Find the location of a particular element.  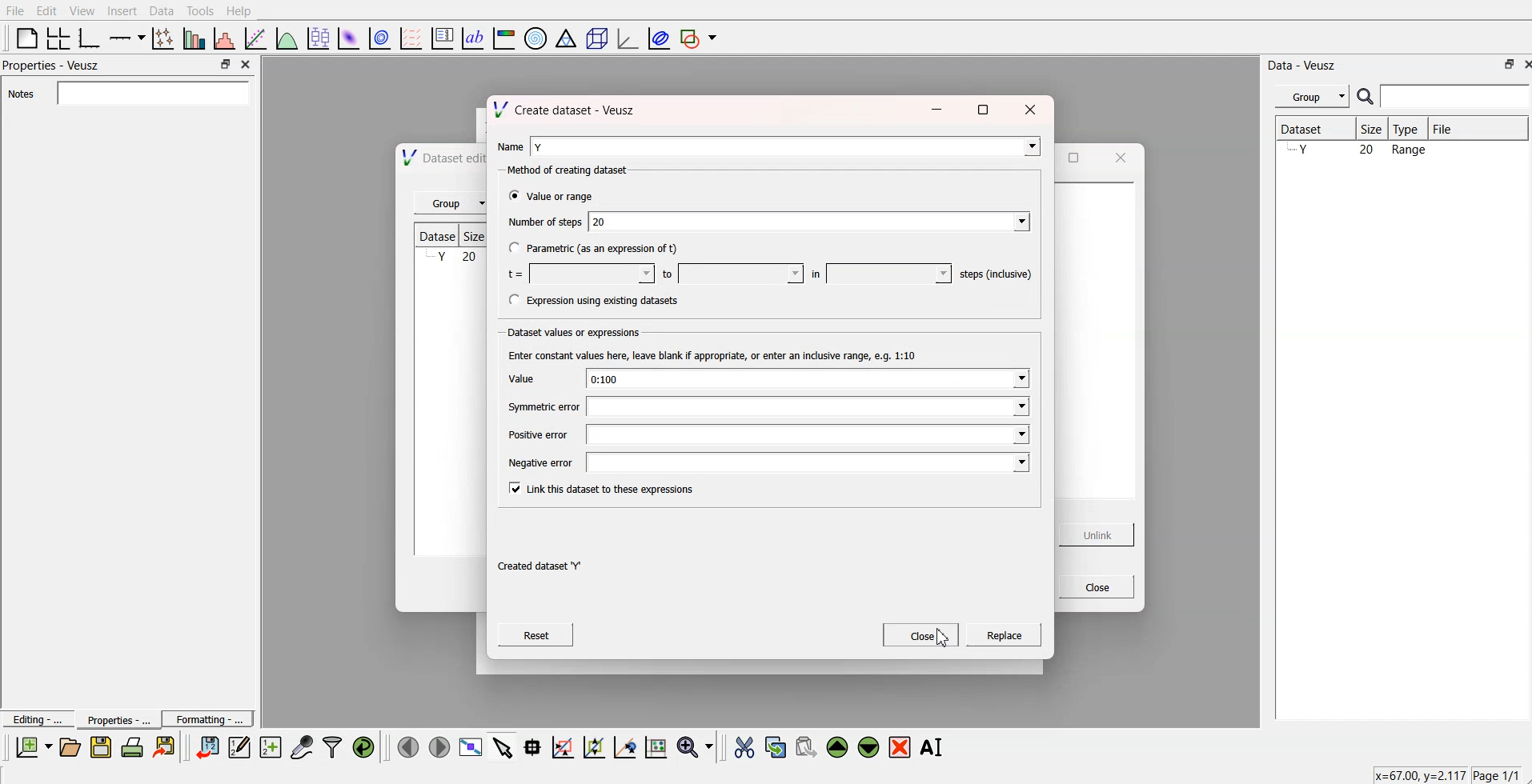

base graph is located at coordinates (90, 37).